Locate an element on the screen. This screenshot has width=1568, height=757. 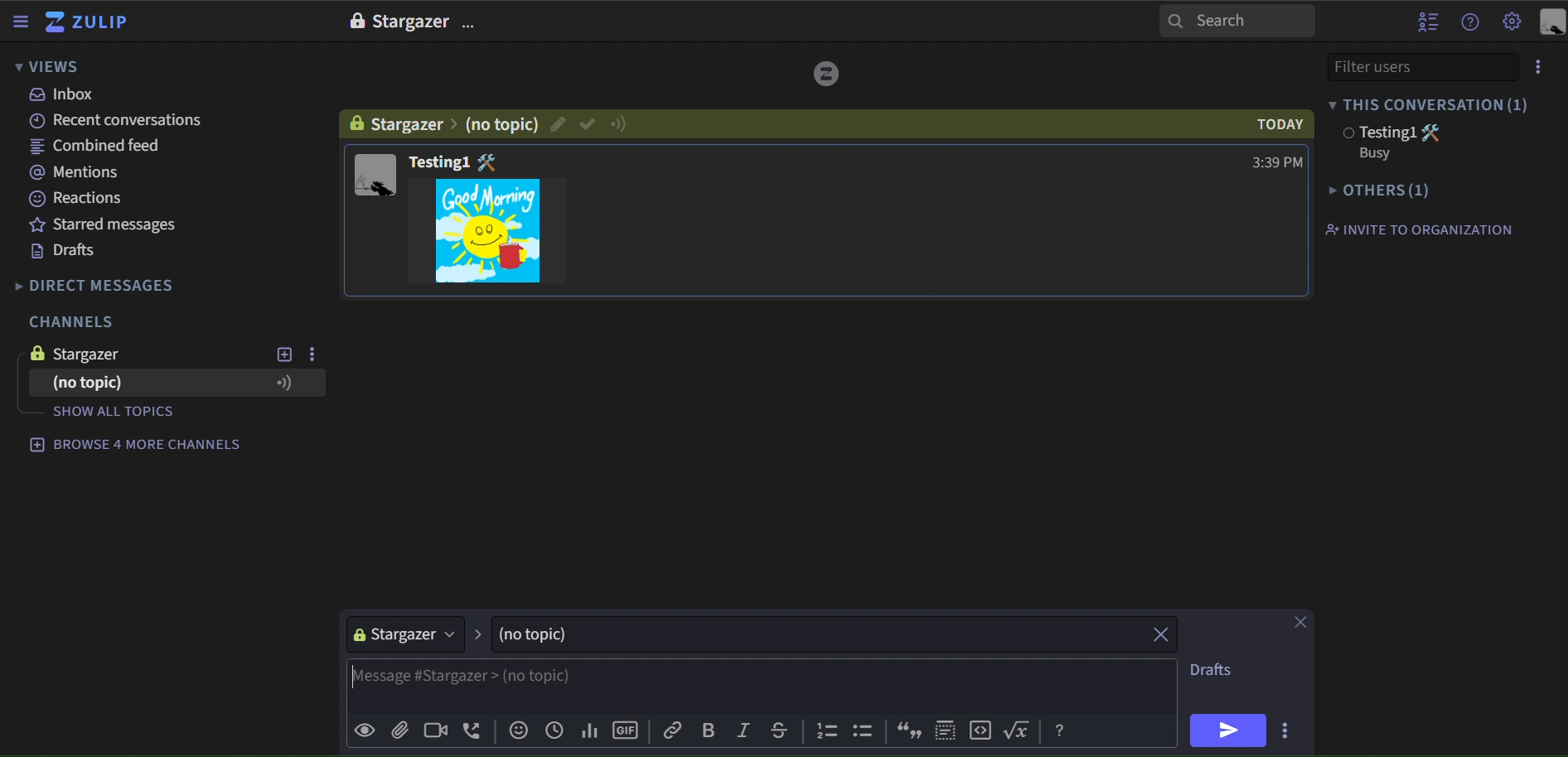
Invite to organization is located at coordinates (1426, 230).